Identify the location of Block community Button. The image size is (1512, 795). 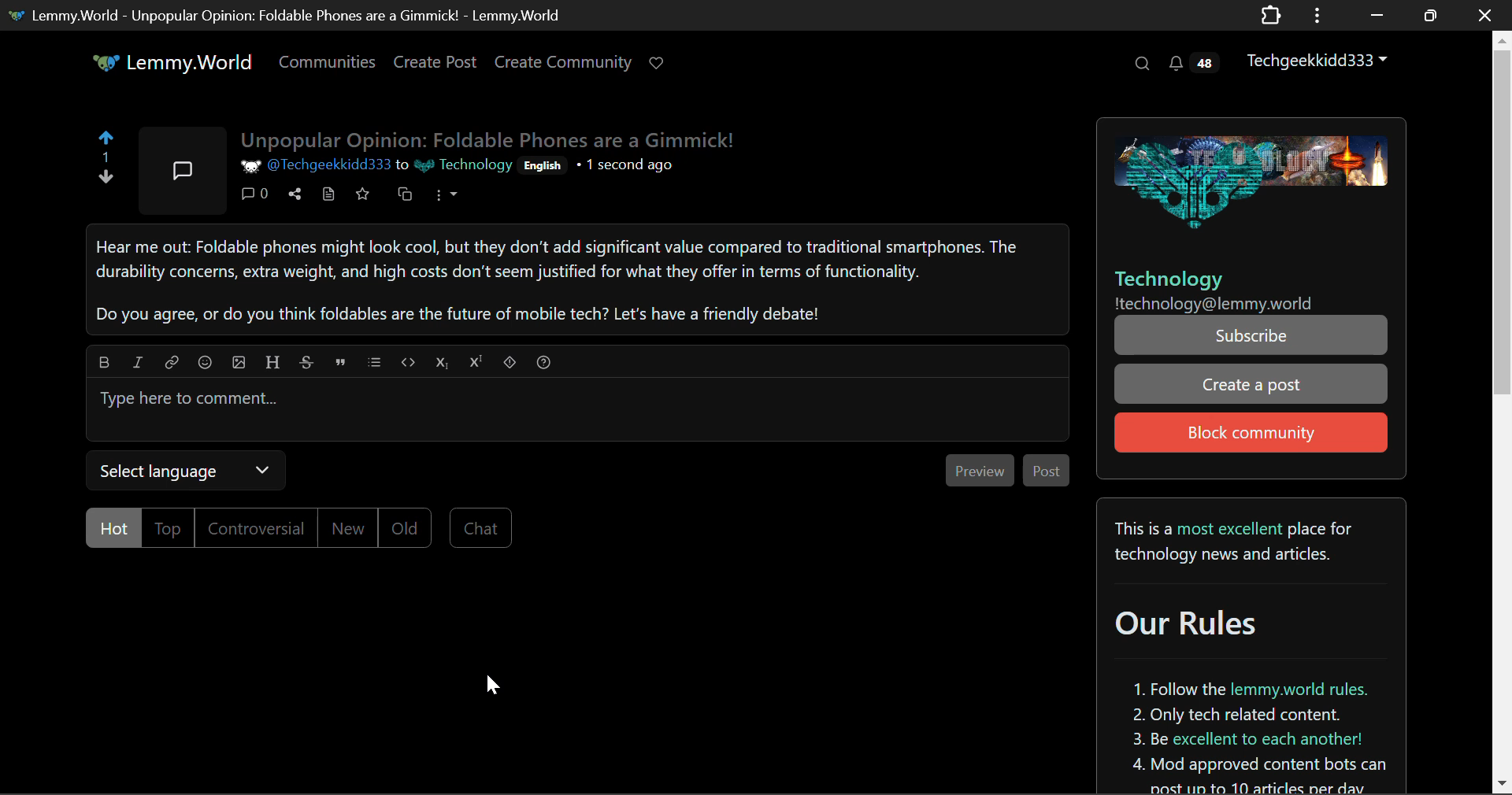
(1249, 433).